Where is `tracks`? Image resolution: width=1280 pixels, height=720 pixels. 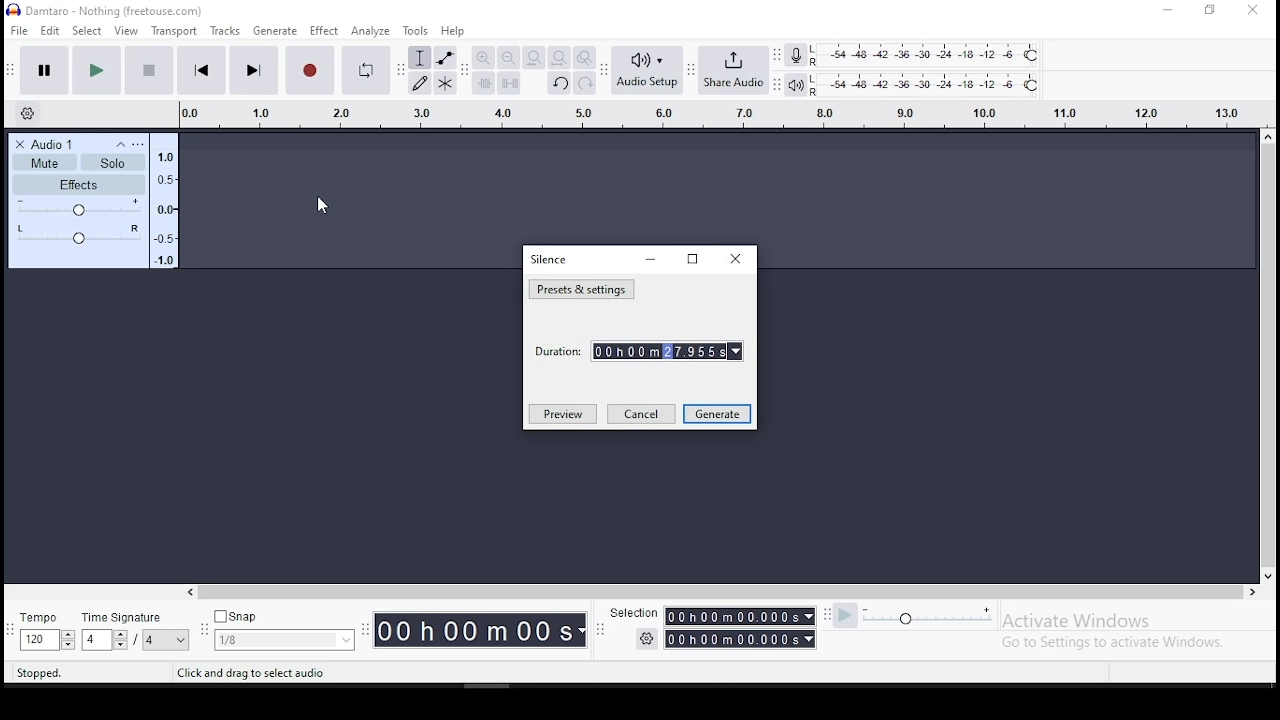
tracks is located at coordinates (224, 31).